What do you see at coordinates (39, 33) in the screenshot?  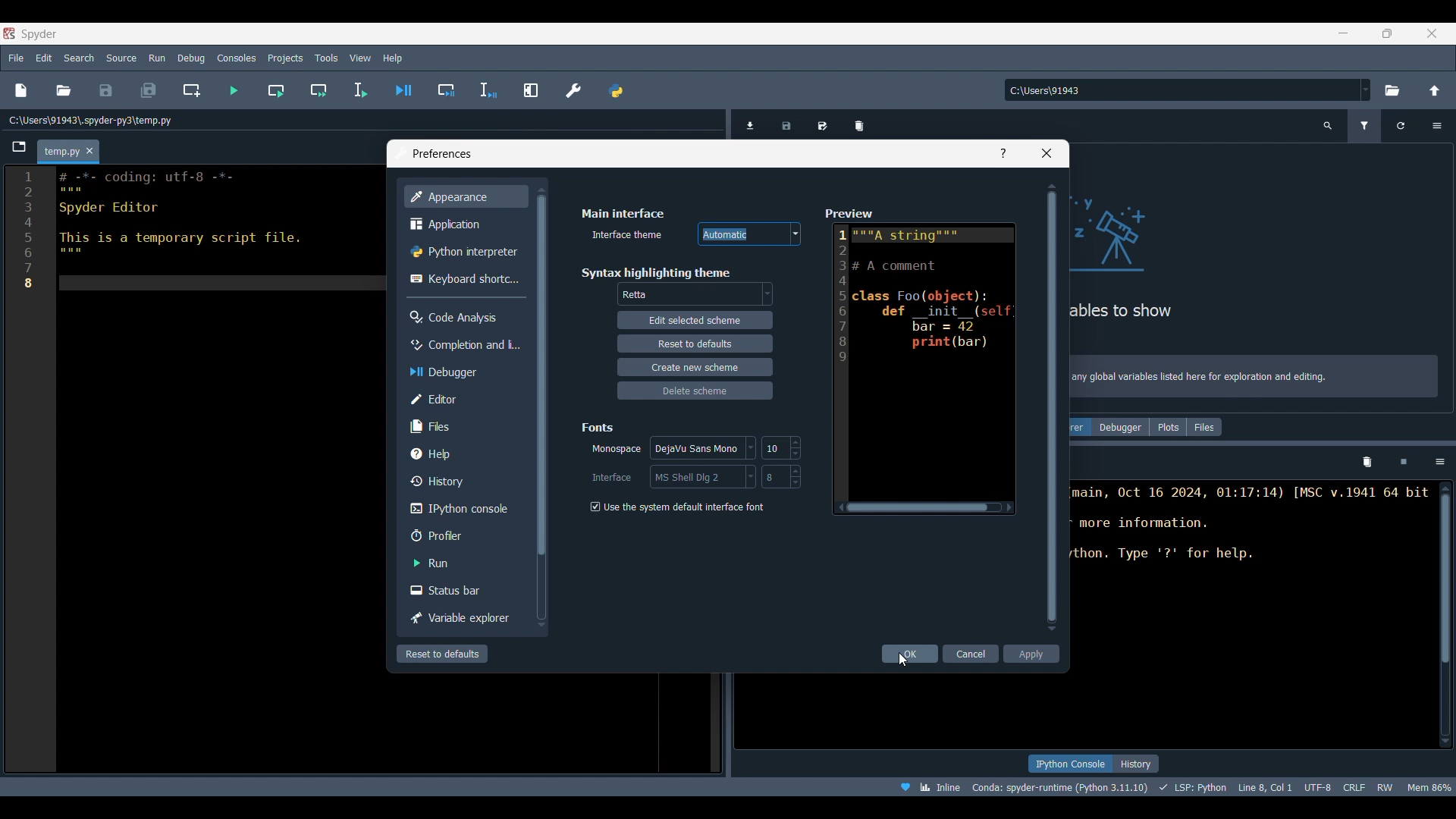 I see `Software name` at bounding box center [39, 33].